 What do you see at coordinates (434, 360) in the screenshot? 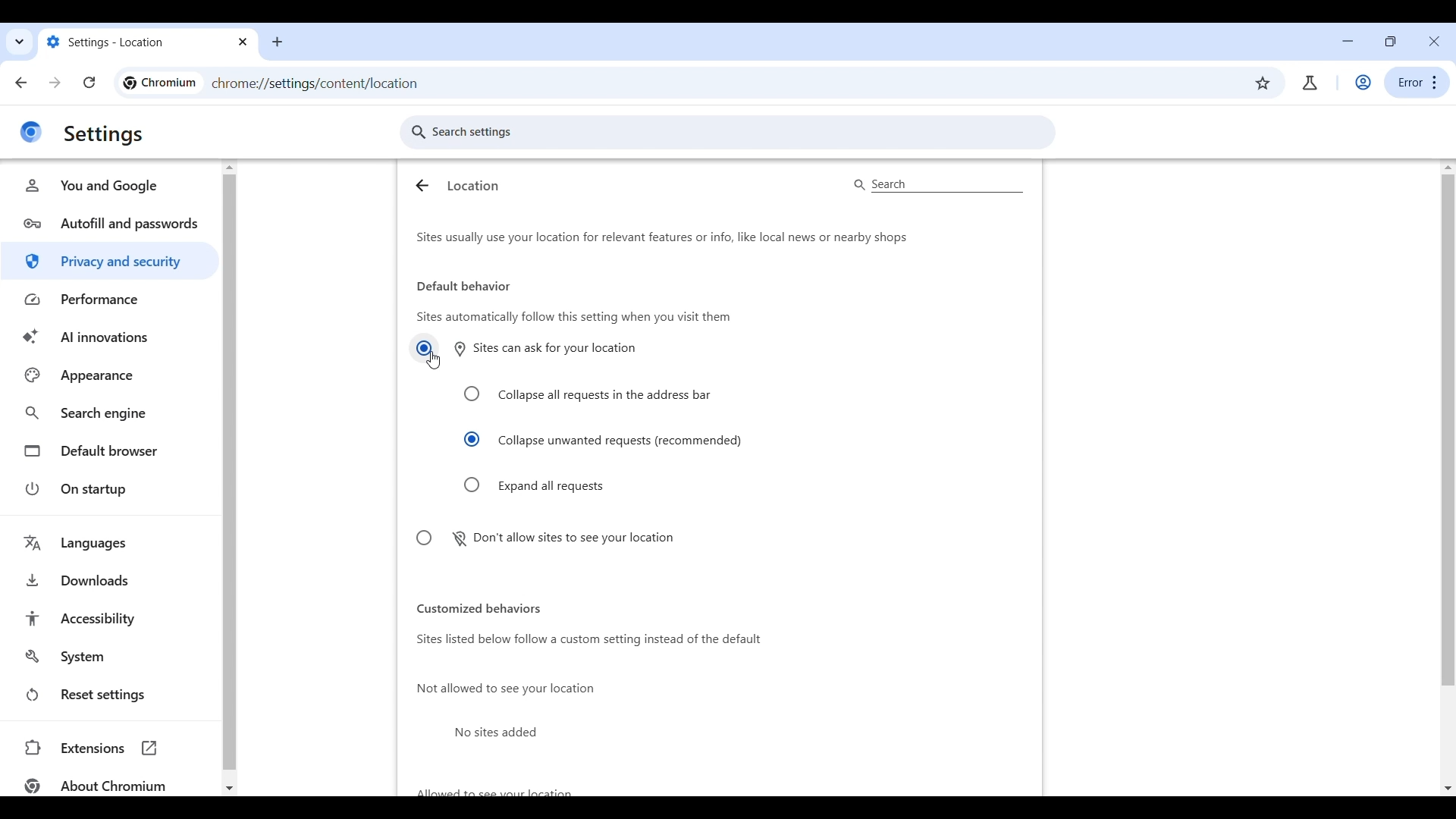
I see `Cursor ` at bounding box center [434, 360].